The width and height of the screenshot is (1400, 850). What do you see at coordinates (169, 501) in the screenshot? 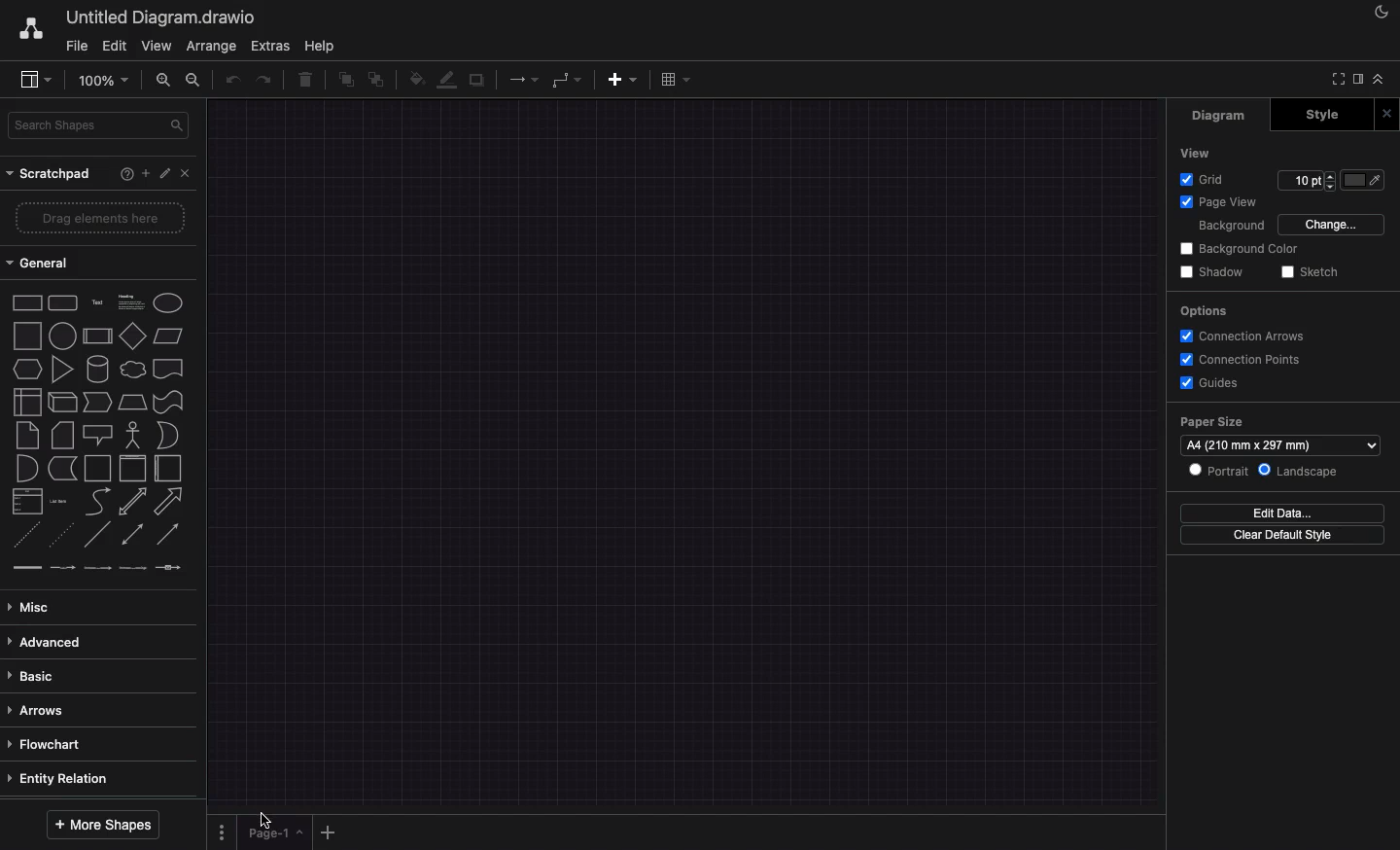
I see `arrow` at bounding box center [169, 501].